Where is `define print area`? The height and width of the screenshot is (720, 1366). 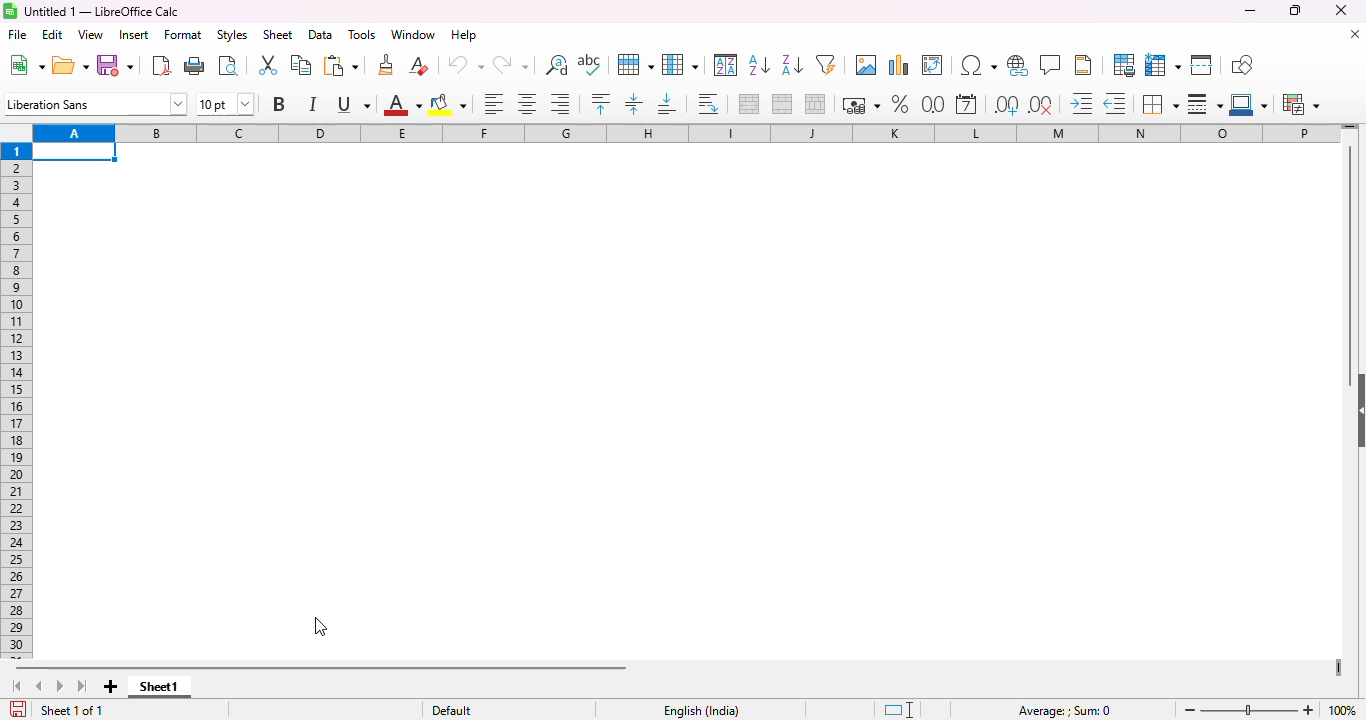 define print area is located at coordinates (1124, 65).